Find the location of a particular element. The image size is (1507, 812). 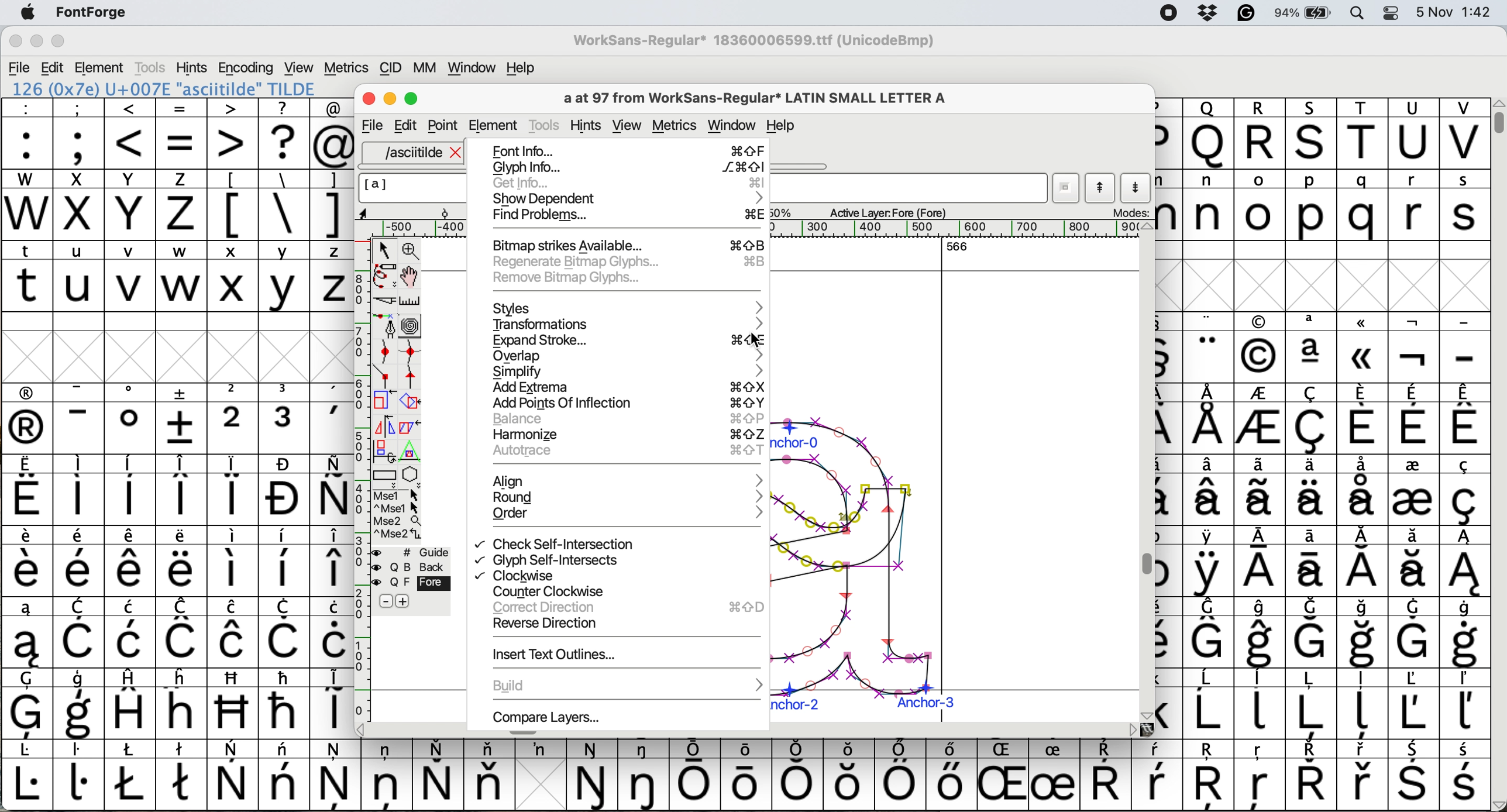

v is located at coordinates (130, 278).